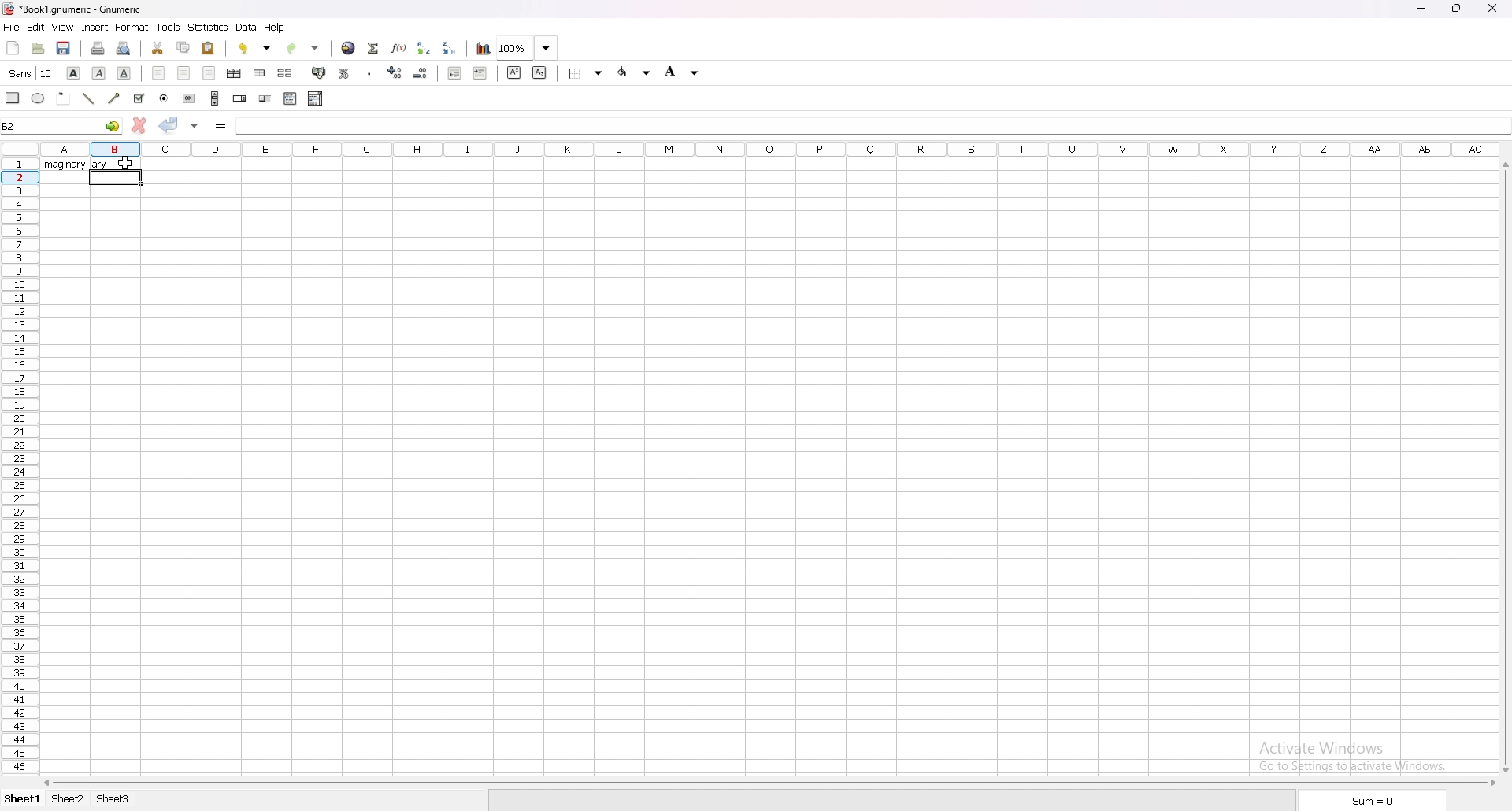 Image resolution: width=1512 pixels, height=811 pixels. I want to click on hyperlink, so click(349, 48).